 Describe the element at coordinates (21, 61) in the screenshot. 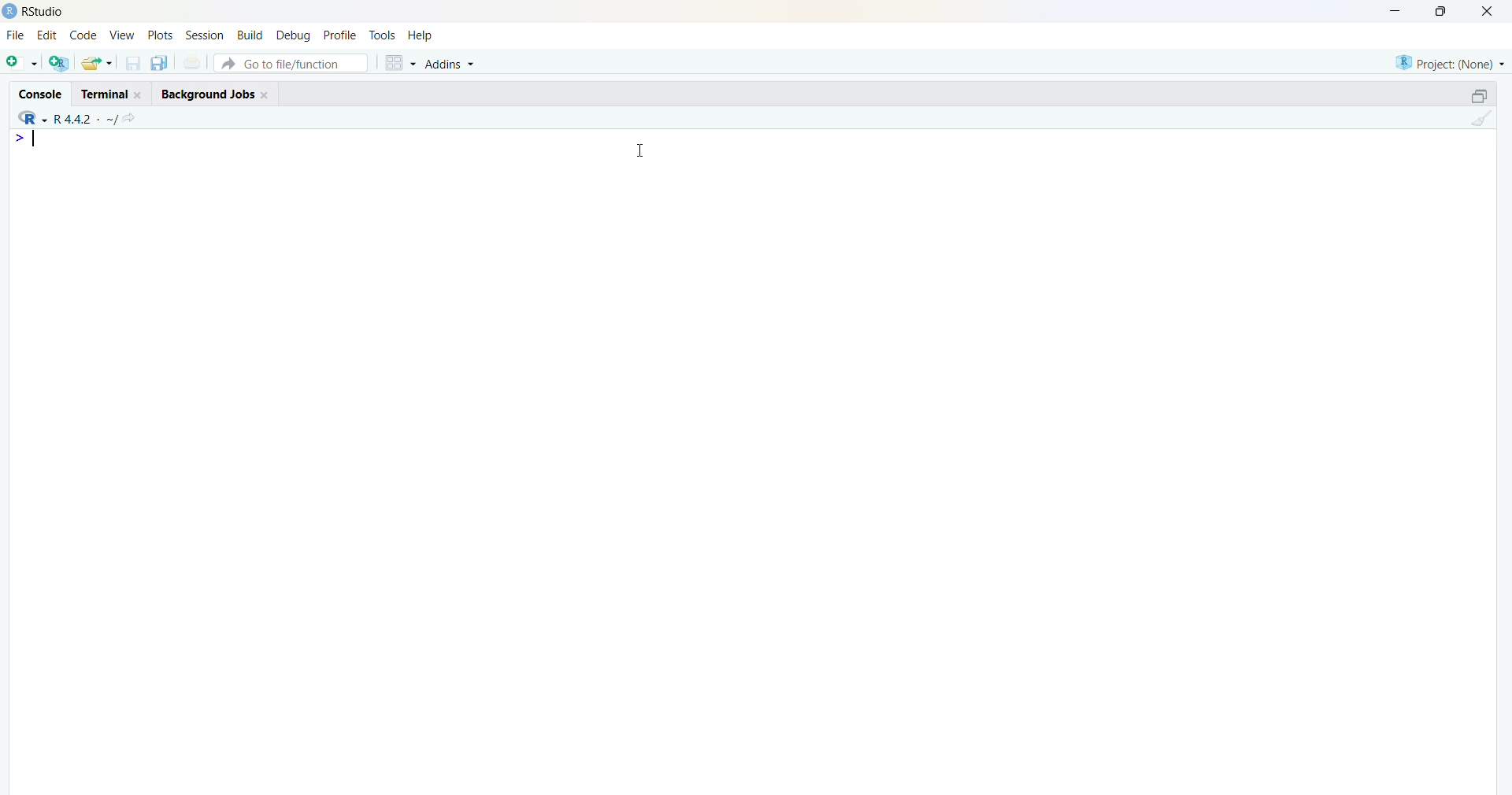

I see `new file` at that location.